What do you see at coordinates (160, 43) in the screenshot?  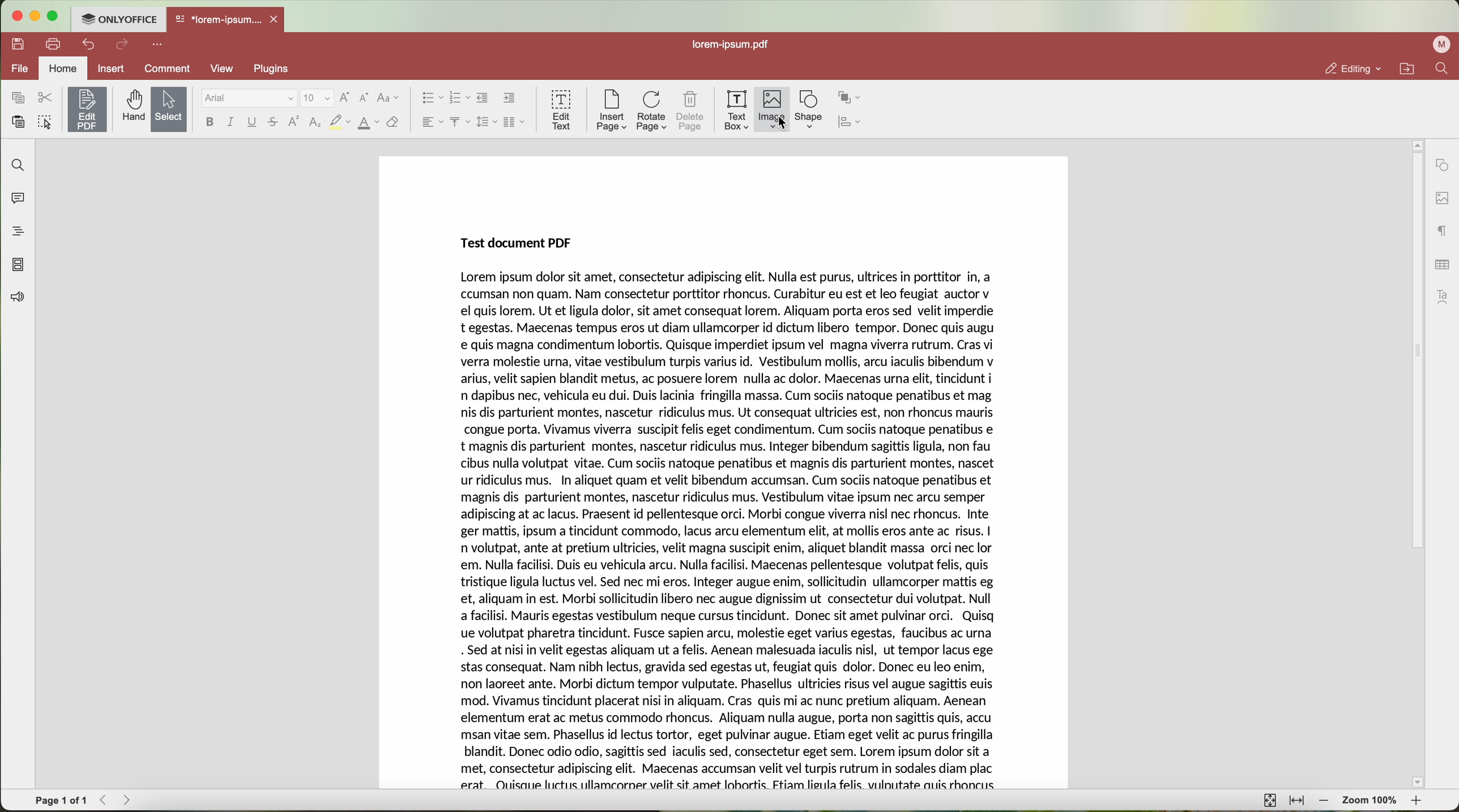 I see `more options` at bounding box center [160, 43].